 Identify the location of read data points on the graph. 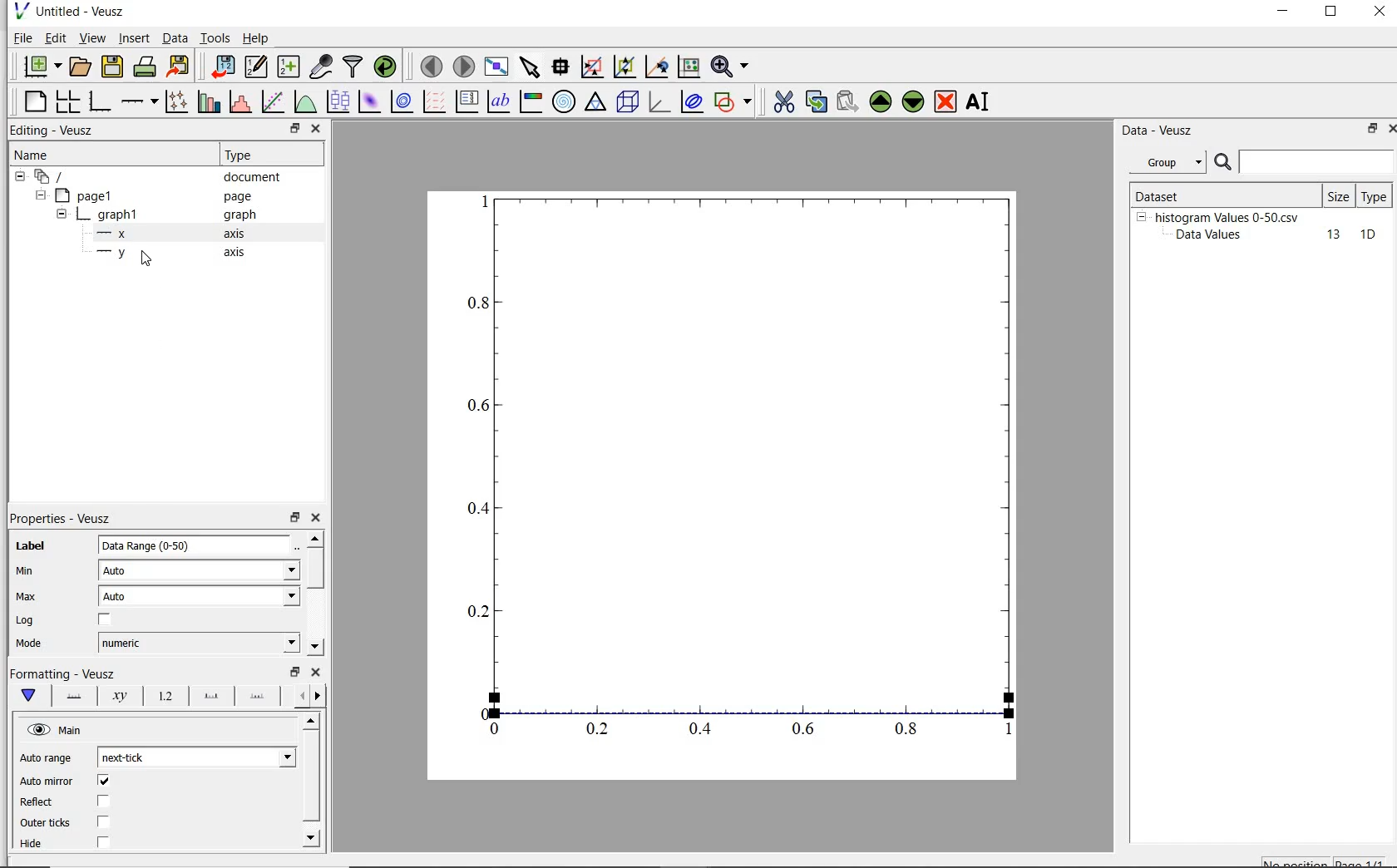
(562, 67).